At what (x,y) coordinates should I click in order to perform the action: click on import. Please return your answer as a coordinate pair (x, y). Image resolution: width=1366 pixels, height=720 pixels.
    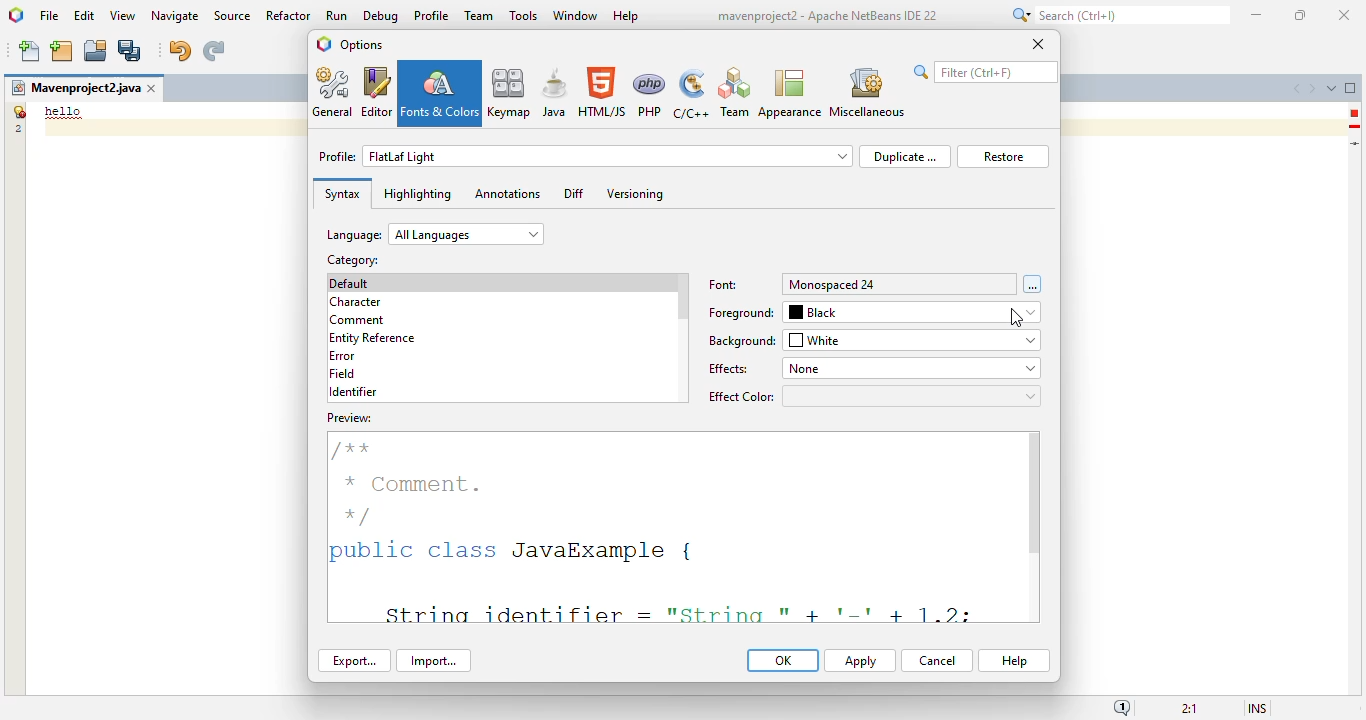
    Looking at the image, I should click on (433, 661).